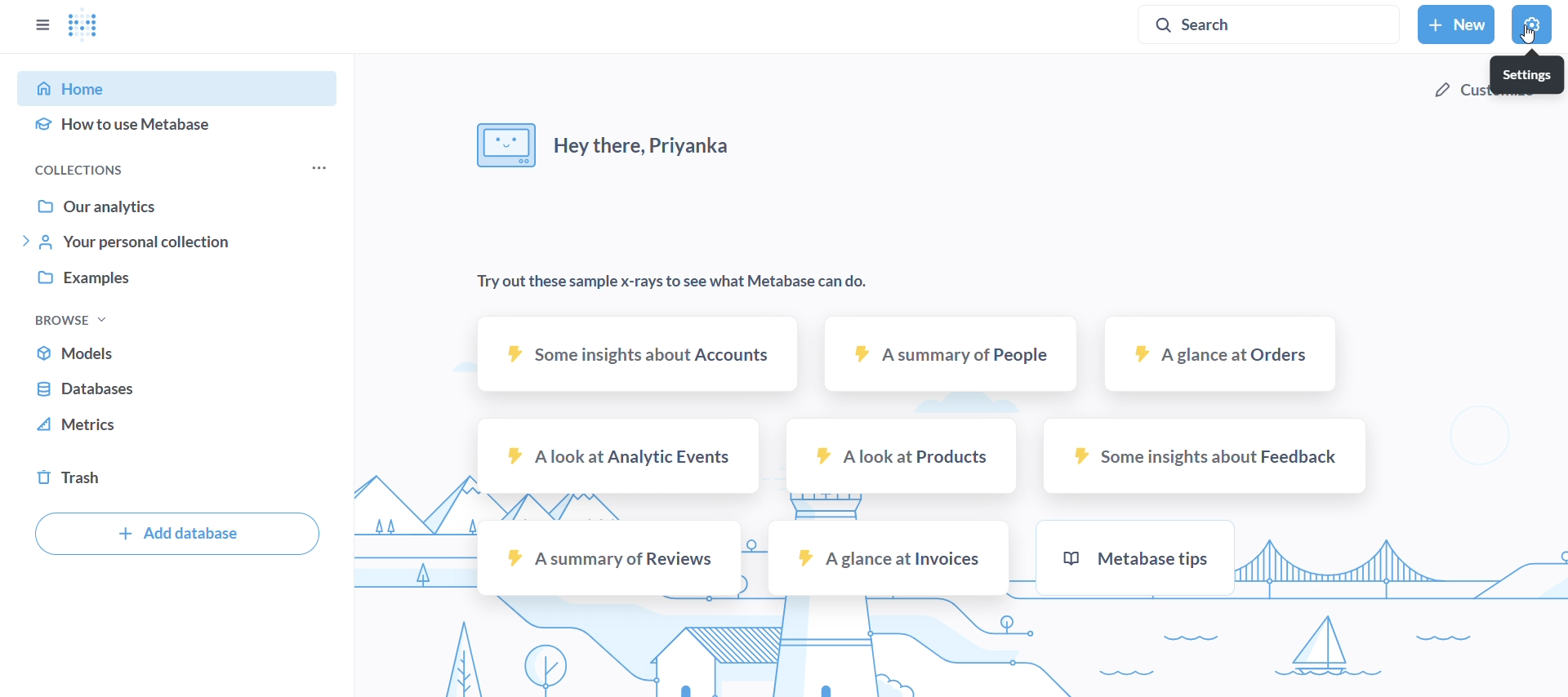 The height and width of the screenshot is (697, 1568). I want to click on some insights above accounts, so click(634, 354).